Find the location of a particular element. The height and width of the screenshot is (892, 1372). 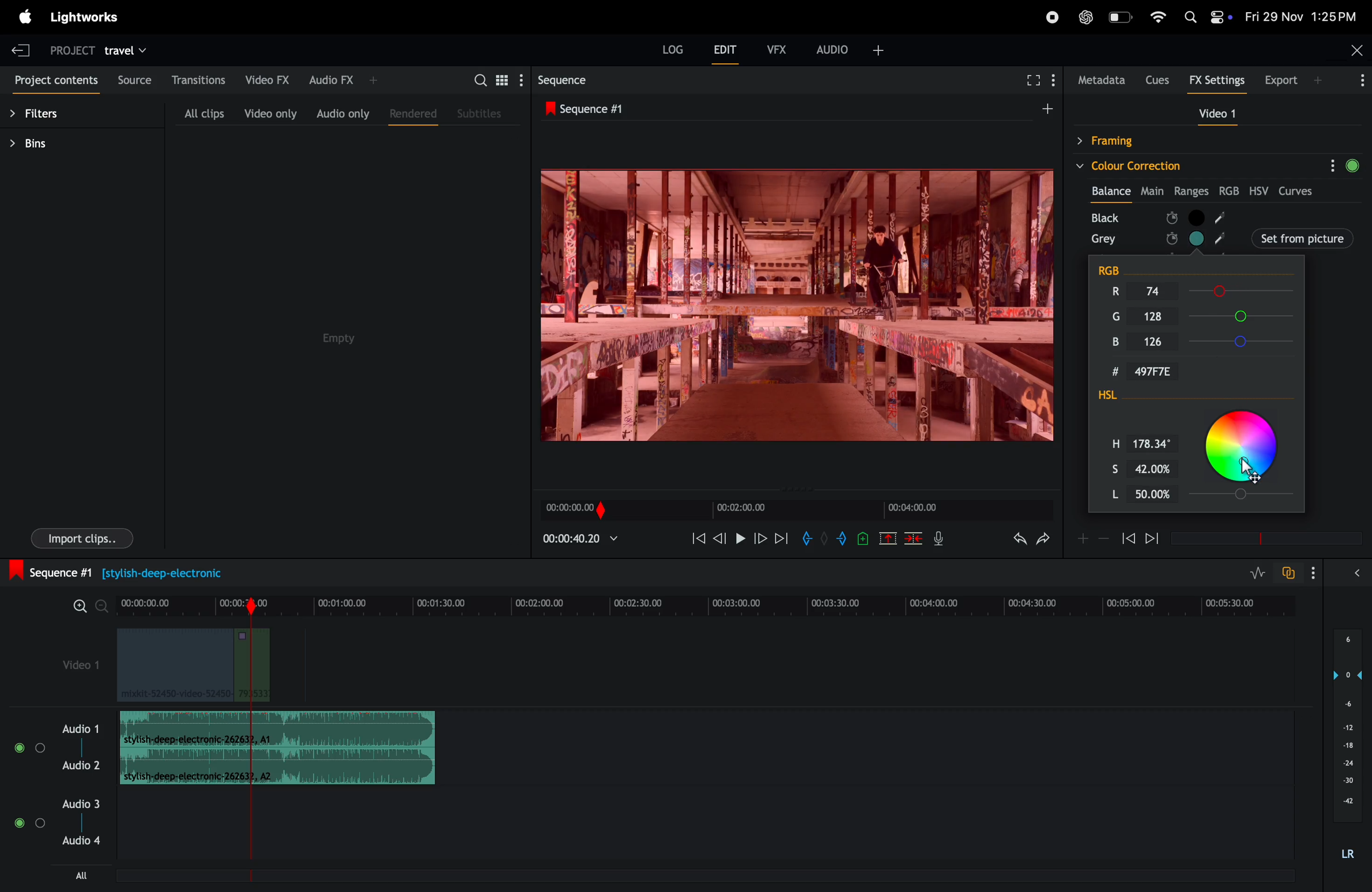

time frame is located at coordinates (794, 511).